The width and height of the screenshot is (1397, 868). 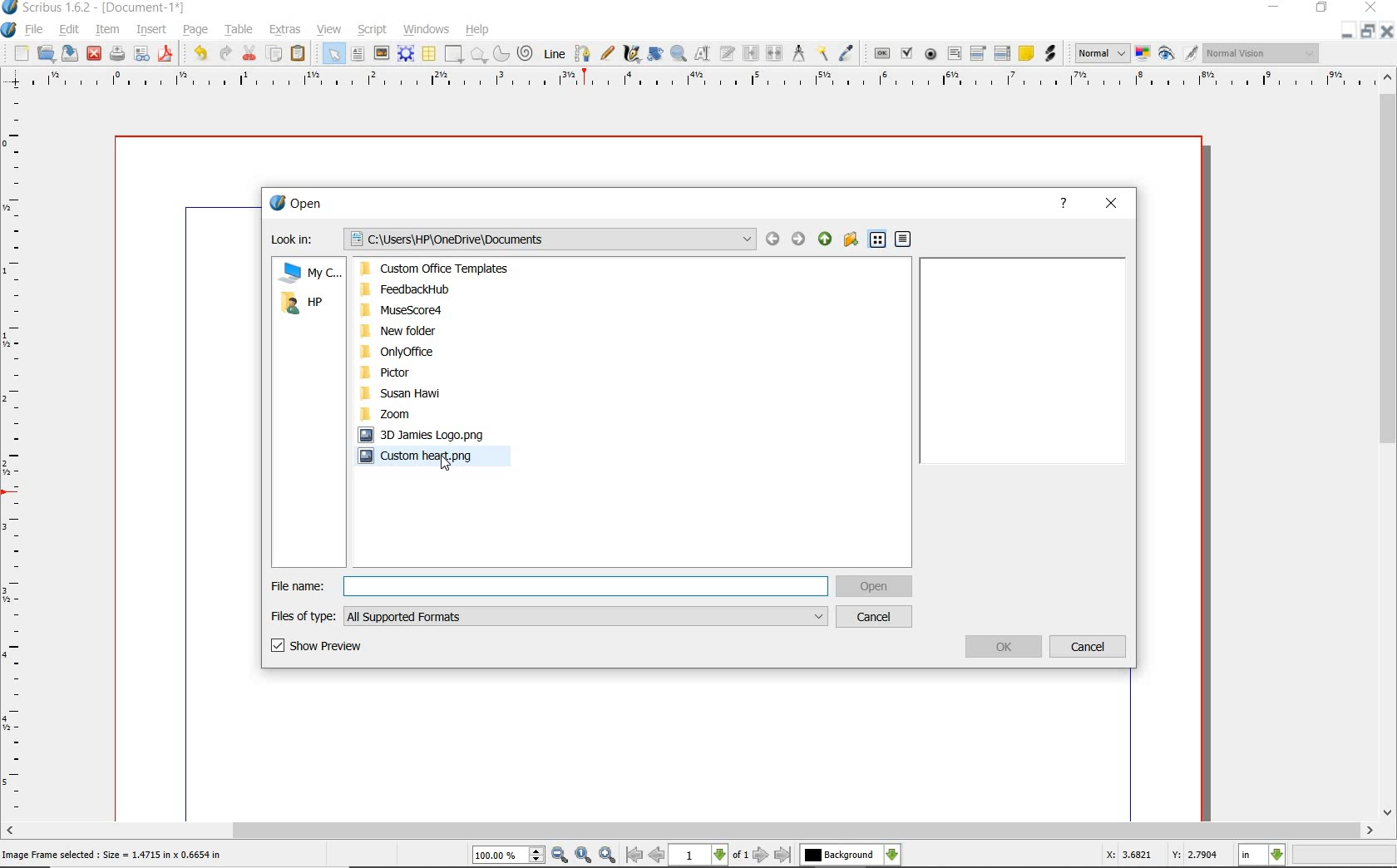 I want to click on edit contents of frame, so click(x=703, y=54).